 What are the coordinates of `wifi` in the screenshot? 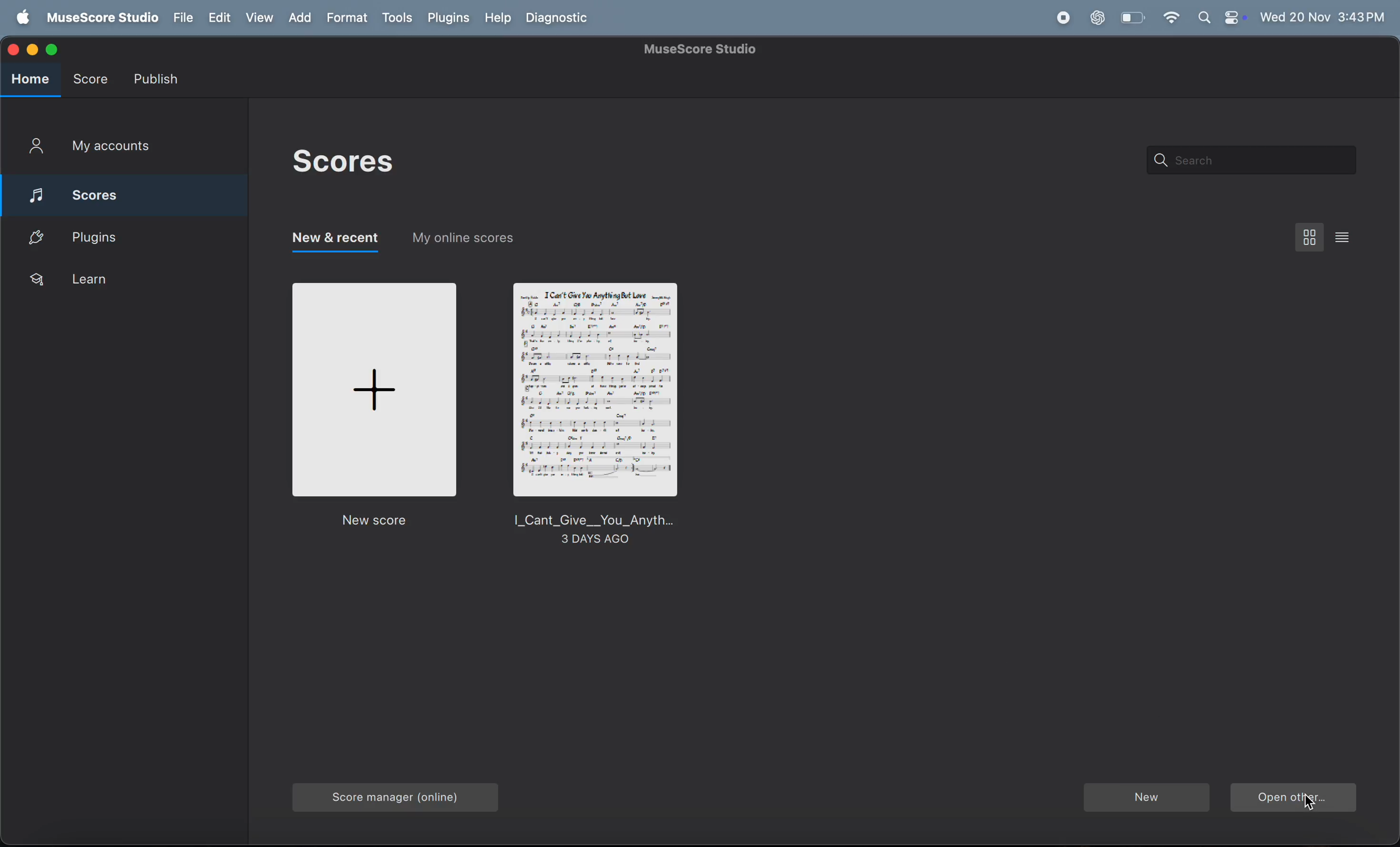 It's located at (1171, 18).